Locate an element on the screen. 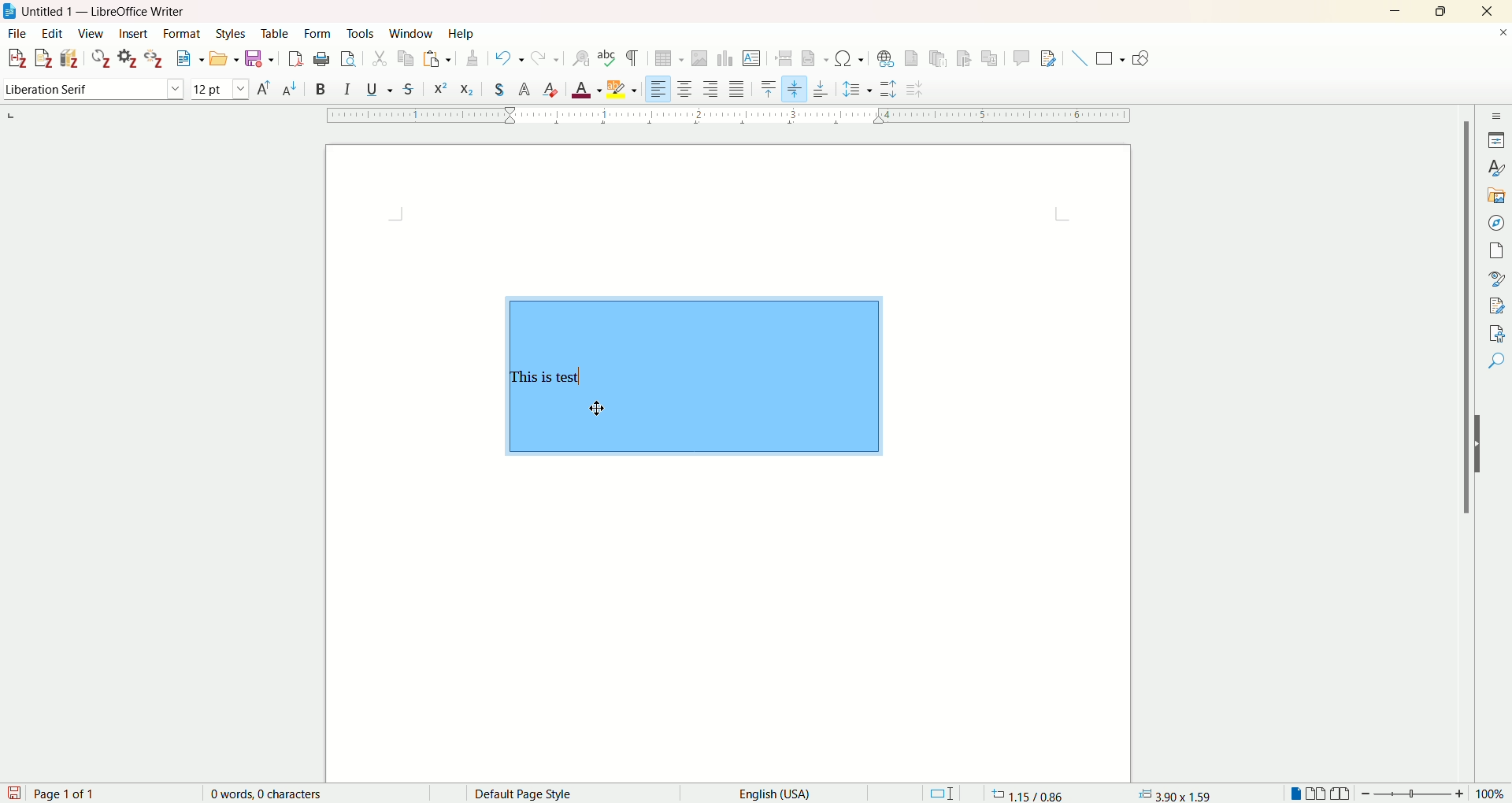 The height and width of the screenshot is (803, 1512). insert image is located at coordinates (702, 59).